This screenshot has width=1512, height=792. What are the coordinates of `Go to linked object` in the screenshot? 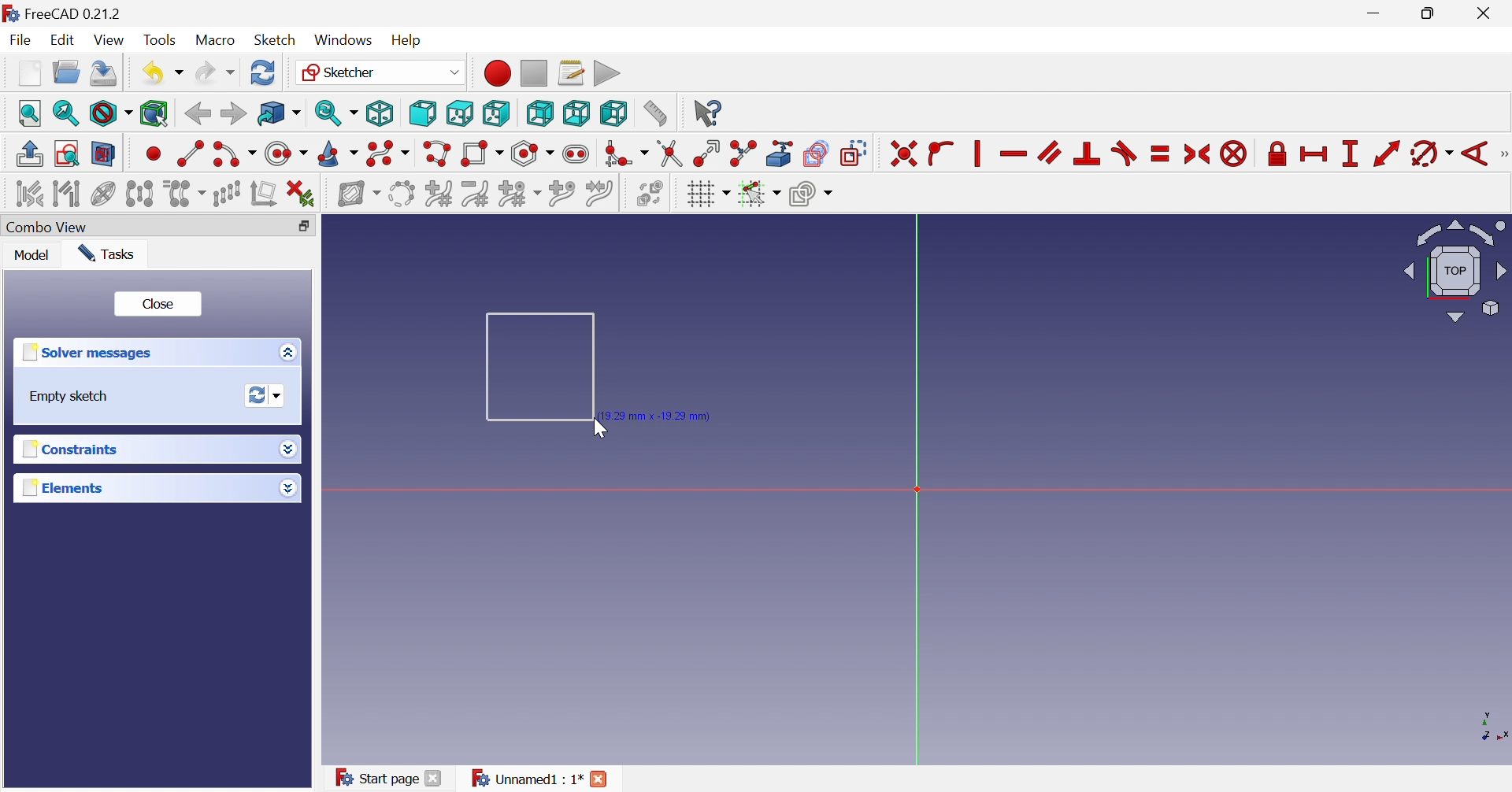 It's located at (279, 114).